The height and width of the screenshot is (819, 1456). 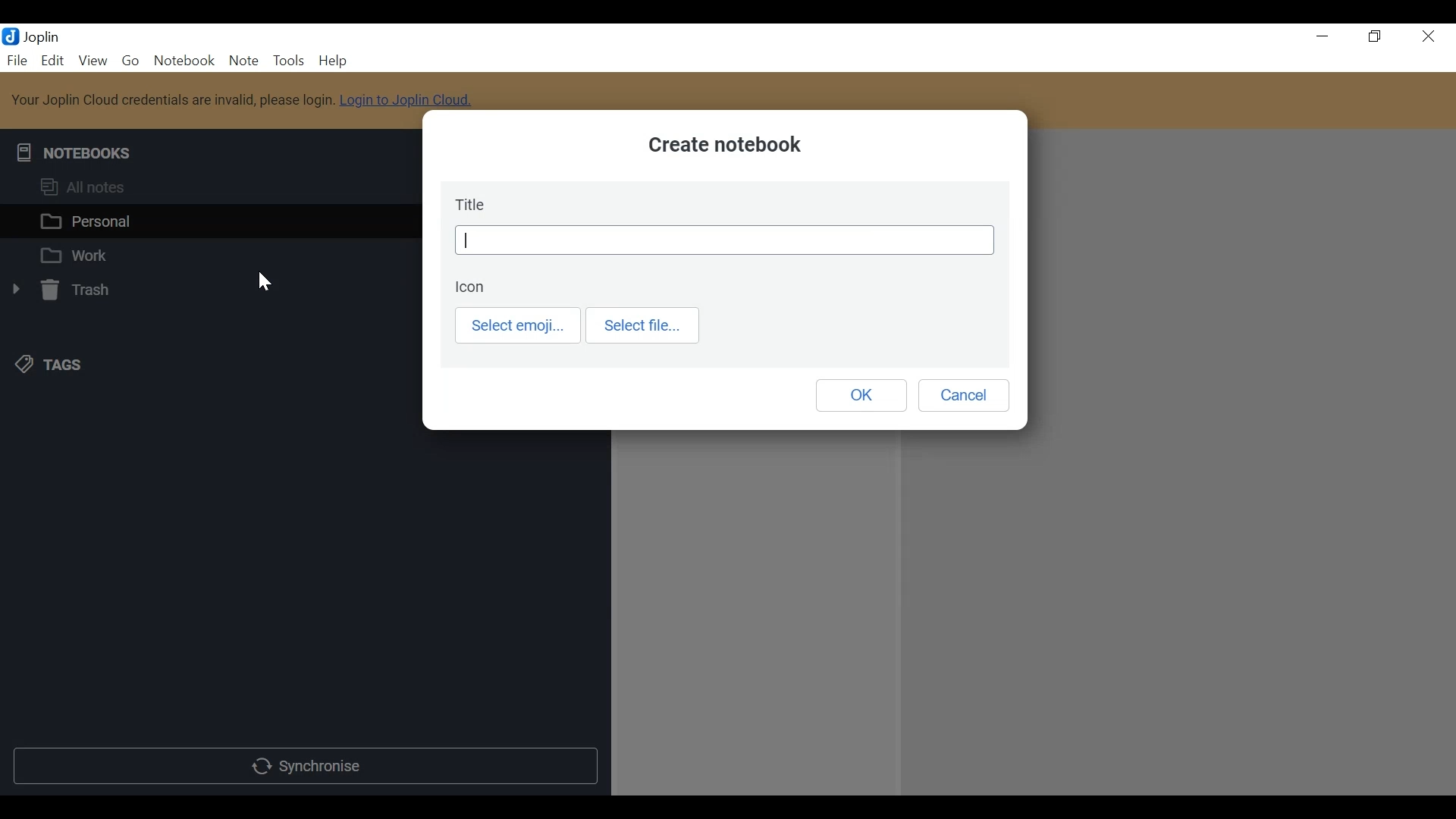 I want to click on Title, so click(x=472, y=203).